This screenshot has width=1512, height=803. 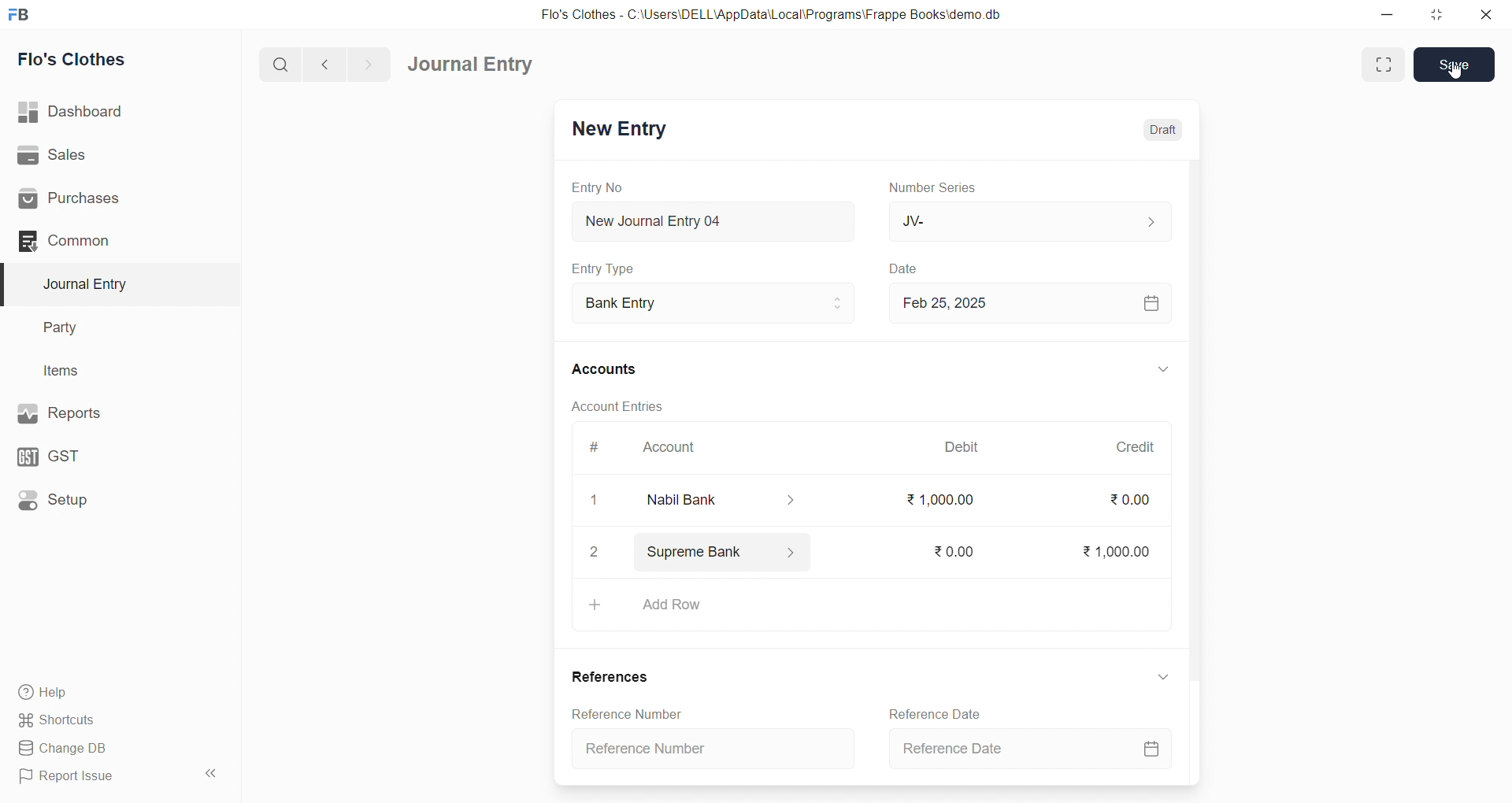 I want to click on search, so click(x=283, y=63).